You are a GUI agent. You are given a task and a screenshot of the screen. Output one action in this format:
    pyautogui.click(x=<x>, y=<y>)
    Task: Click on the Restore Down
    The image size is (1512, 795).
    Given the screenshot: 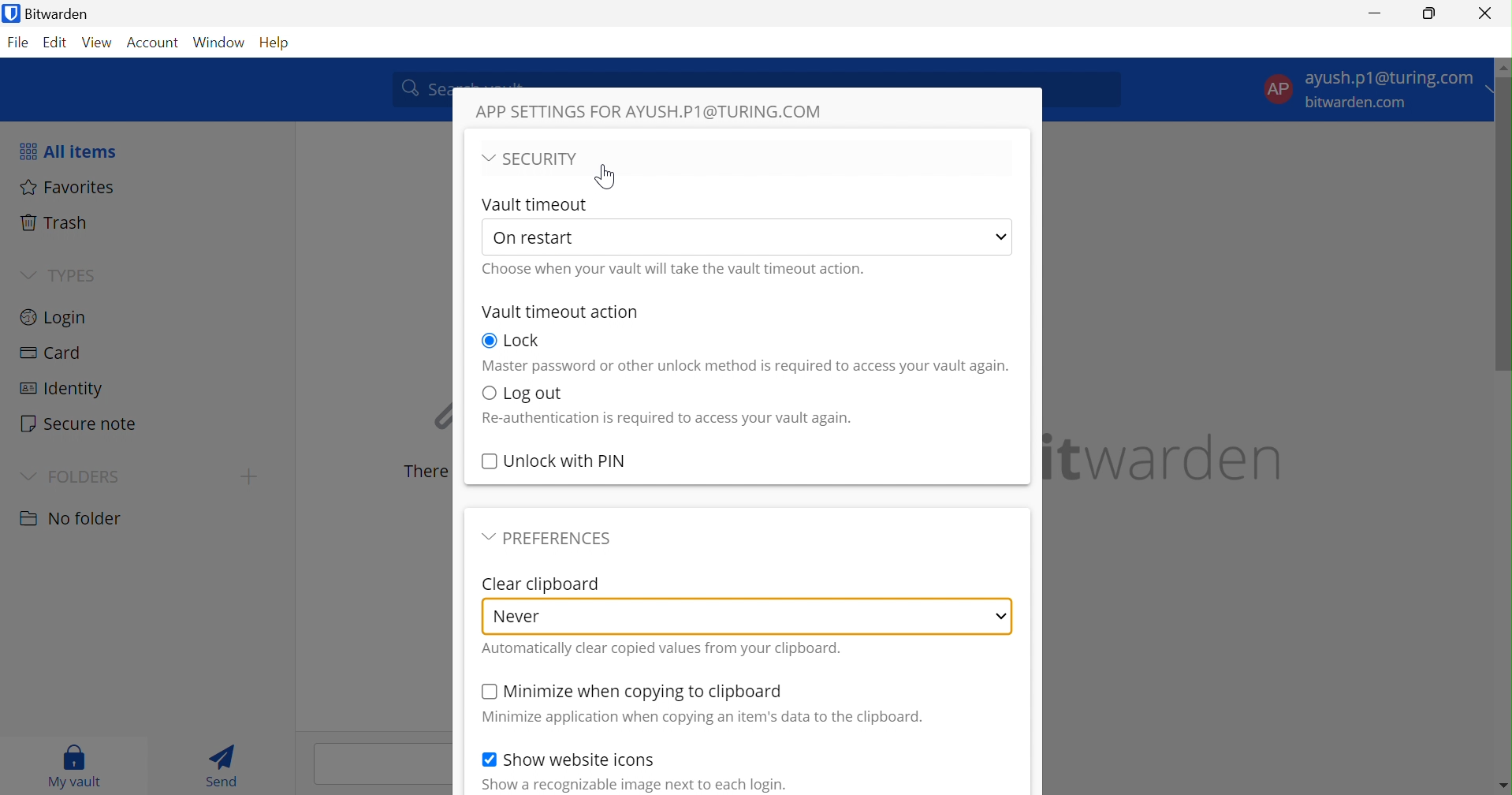 What is the action you would take?
    pyautogui.click(x=1429, y=14)
    